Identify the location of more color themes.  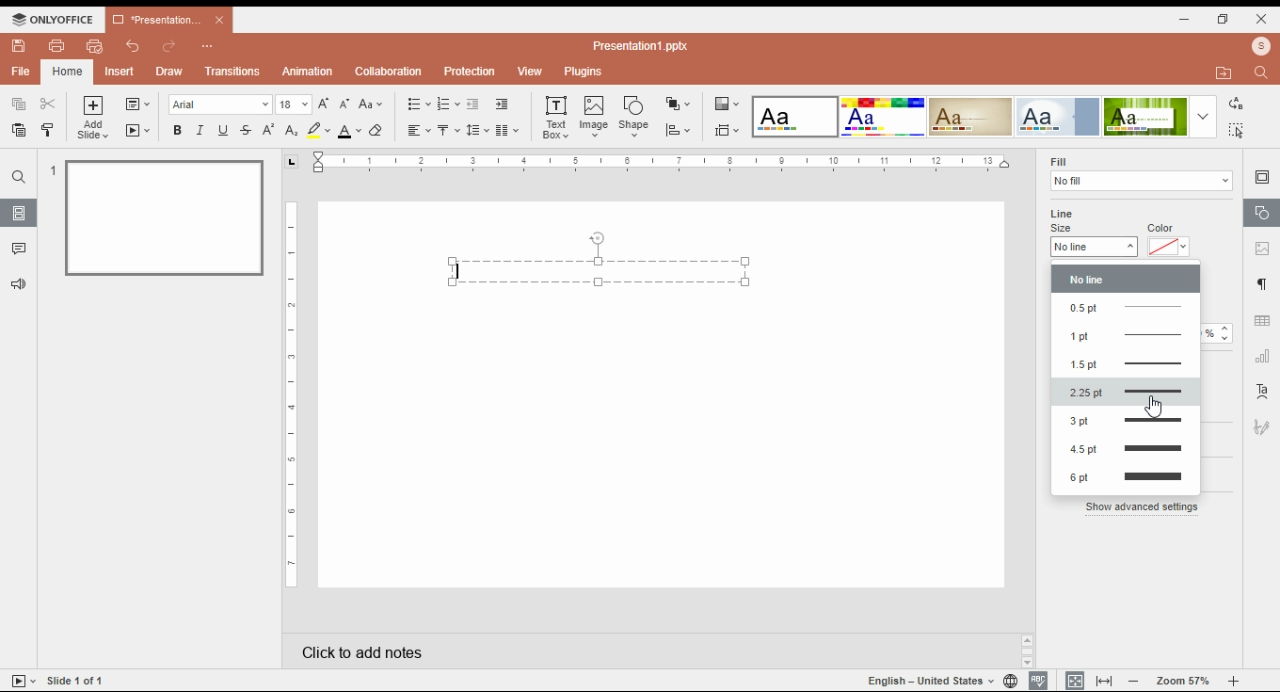
(1203, 116).